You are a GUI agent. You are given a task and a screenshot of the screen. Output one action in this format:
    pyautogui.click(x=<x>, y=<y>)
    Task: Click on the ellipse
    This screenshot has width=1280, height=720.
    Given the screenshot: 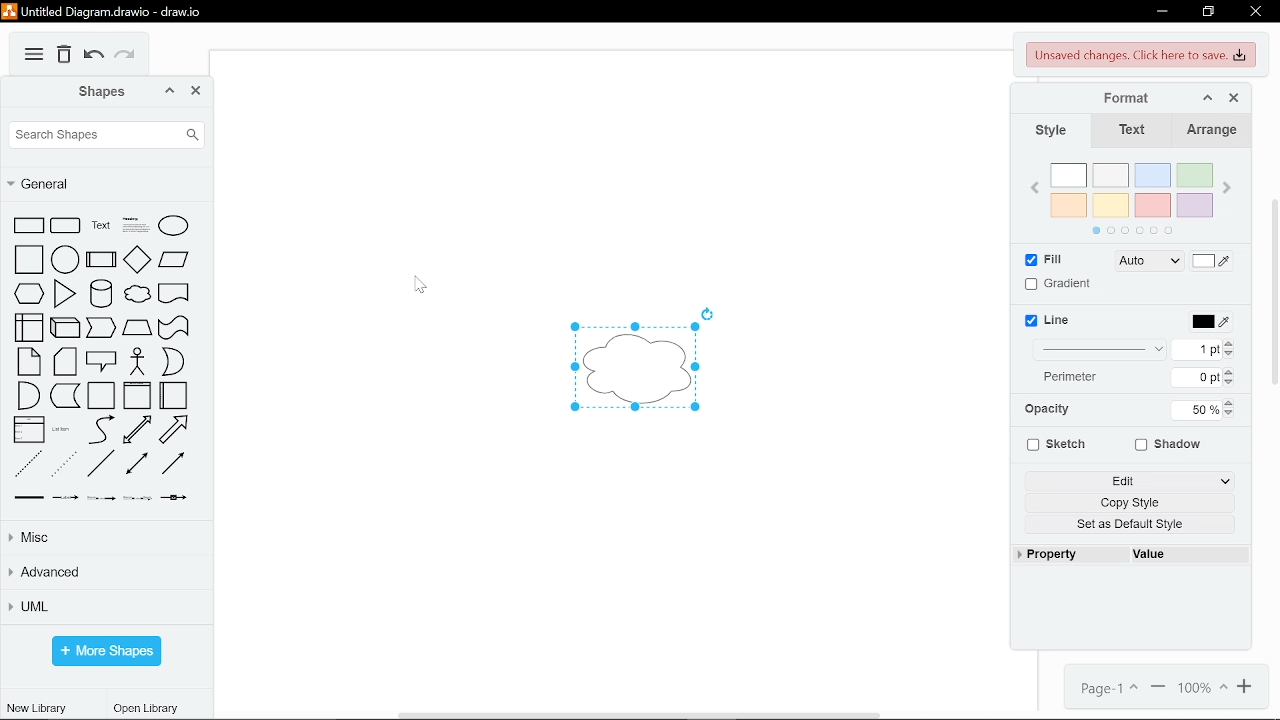 What is the action you would take?
    pyautogui.click(x=175, y=226)
    